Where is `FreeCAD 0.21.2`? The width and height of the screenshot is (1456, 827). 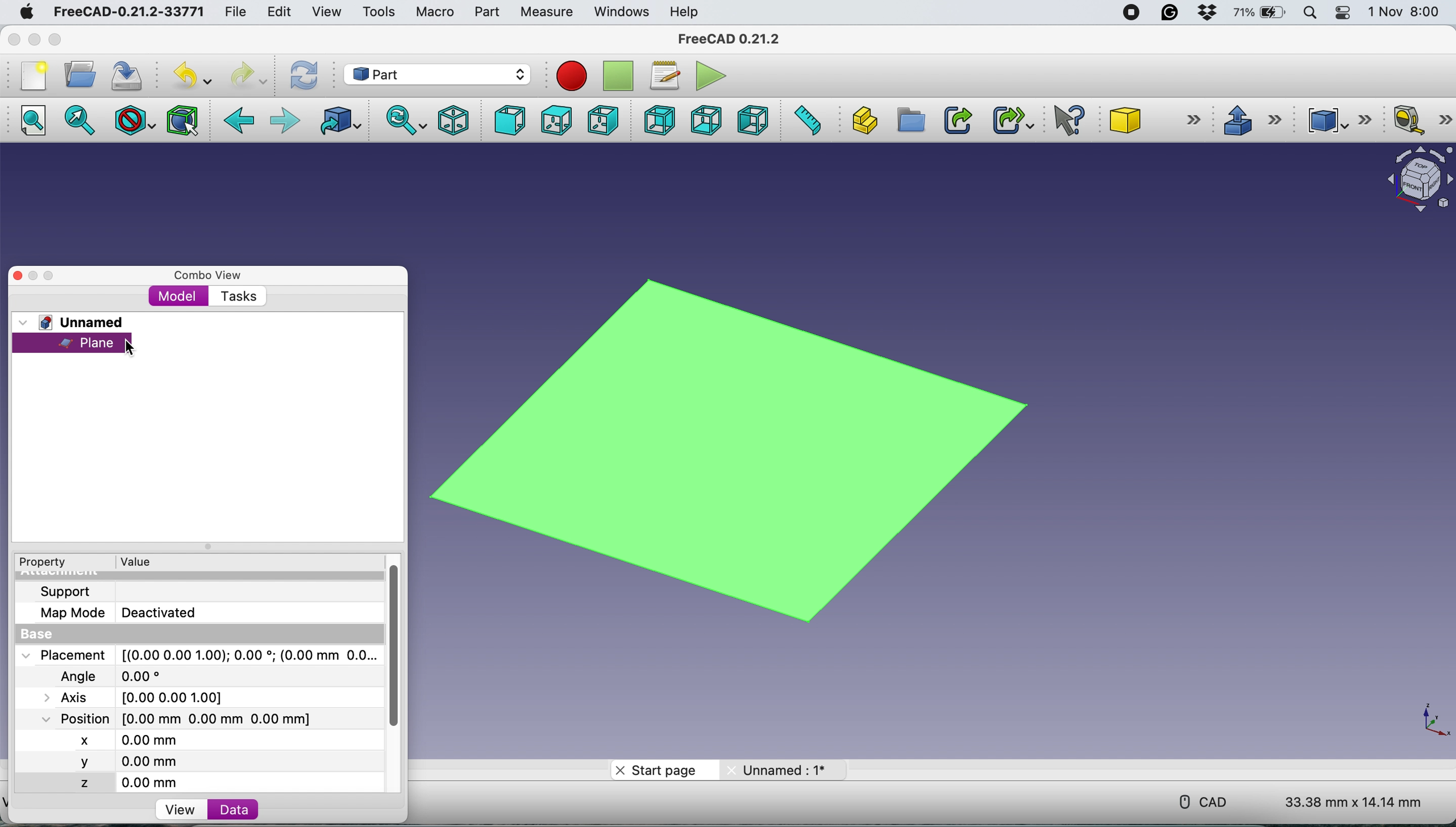
FreeCAD 0.21.2 is located at coordinates (735, 40).